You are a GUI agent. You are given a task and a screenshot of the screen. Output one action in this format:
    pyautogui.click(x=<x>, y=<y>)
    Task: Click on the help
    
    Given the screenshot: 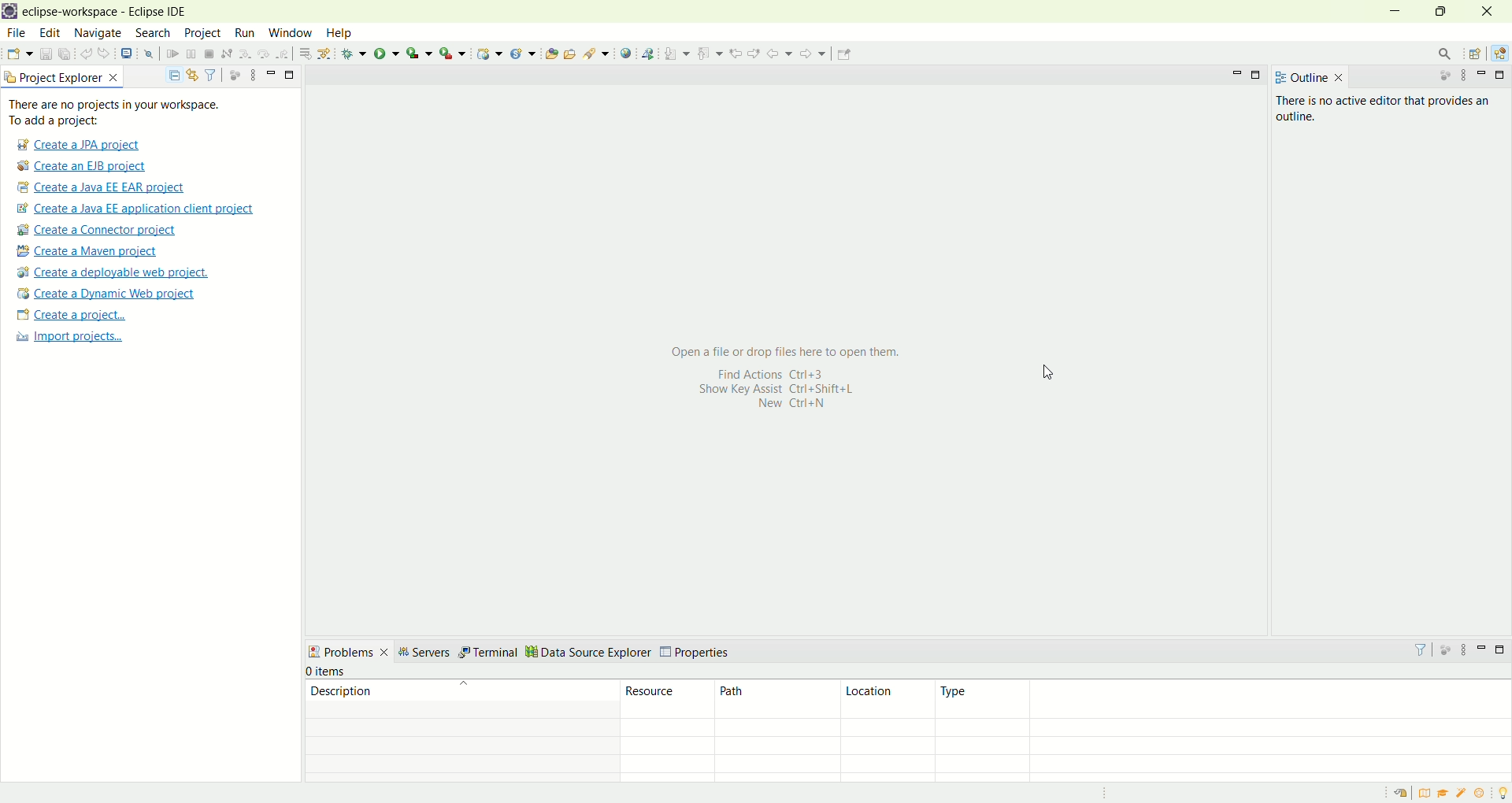 What is the action you would take?
    pyautogui.click(x=338, y=34)
    